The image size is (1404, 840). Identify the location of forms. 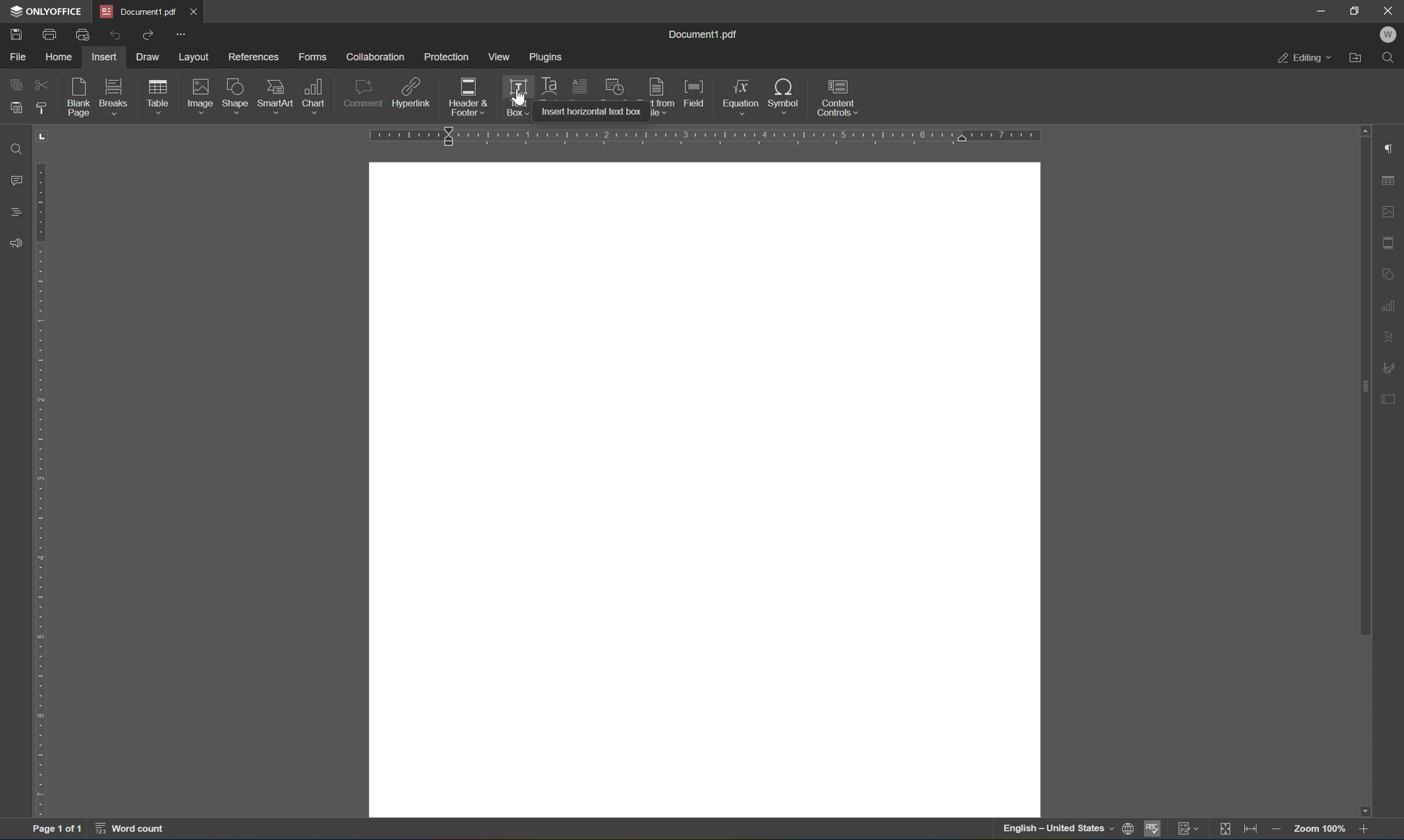
(313, 57).